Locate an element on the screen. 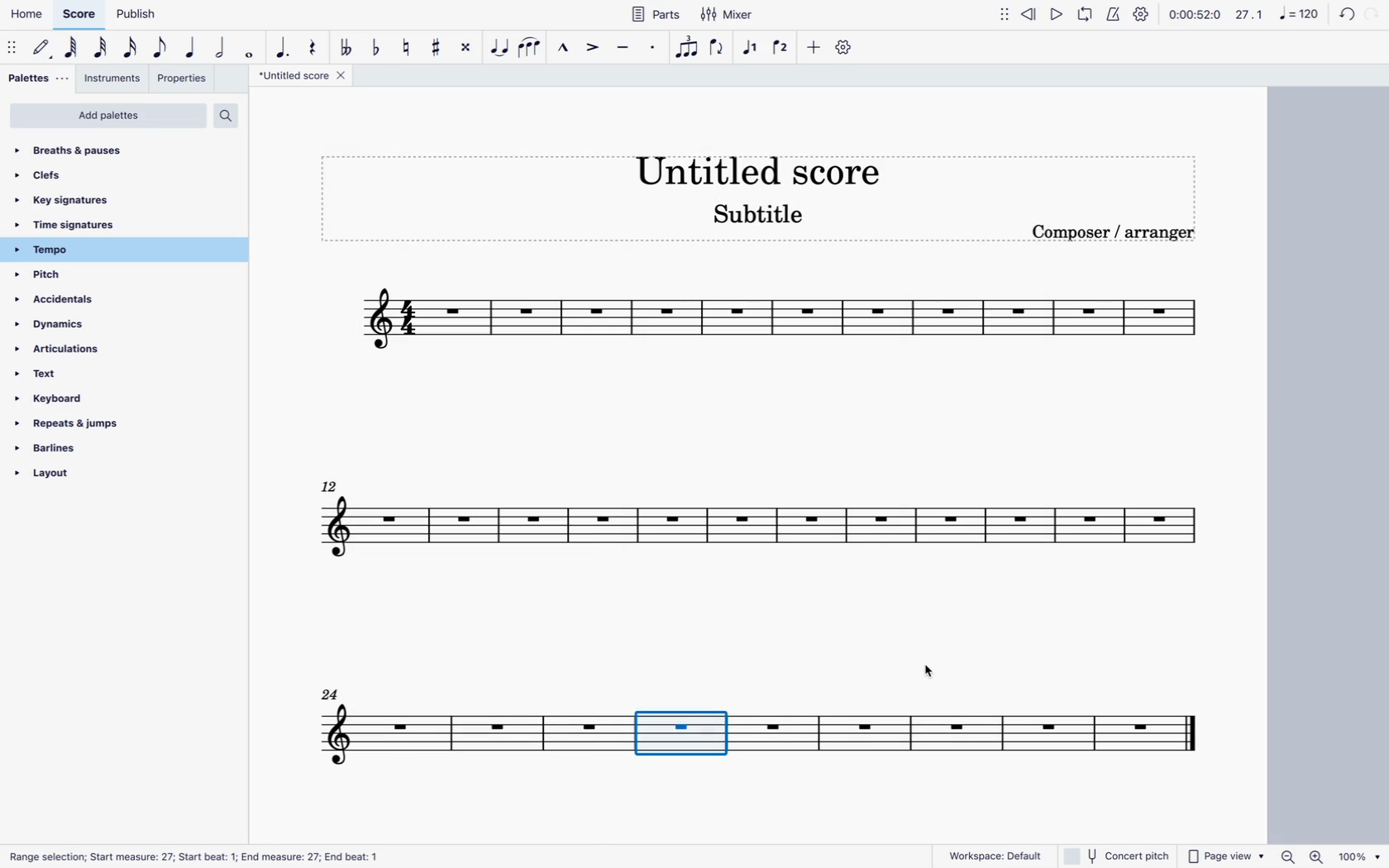 Image resolution: width=1389 pixels, height=868 pixels. keyboard is located at coordinates (82, 399).